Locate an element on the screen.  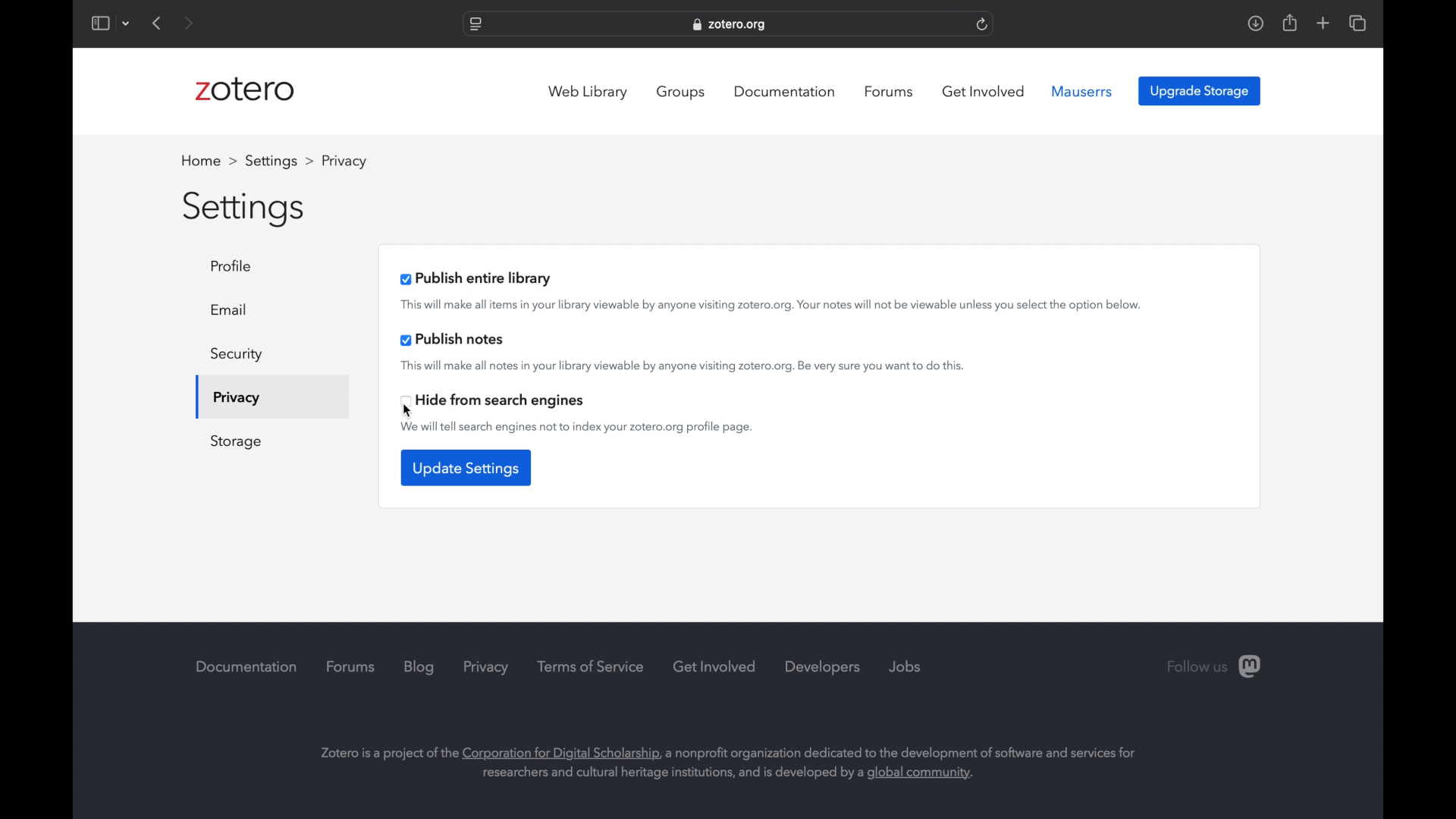
website settings is located at coordinates (475, 25).